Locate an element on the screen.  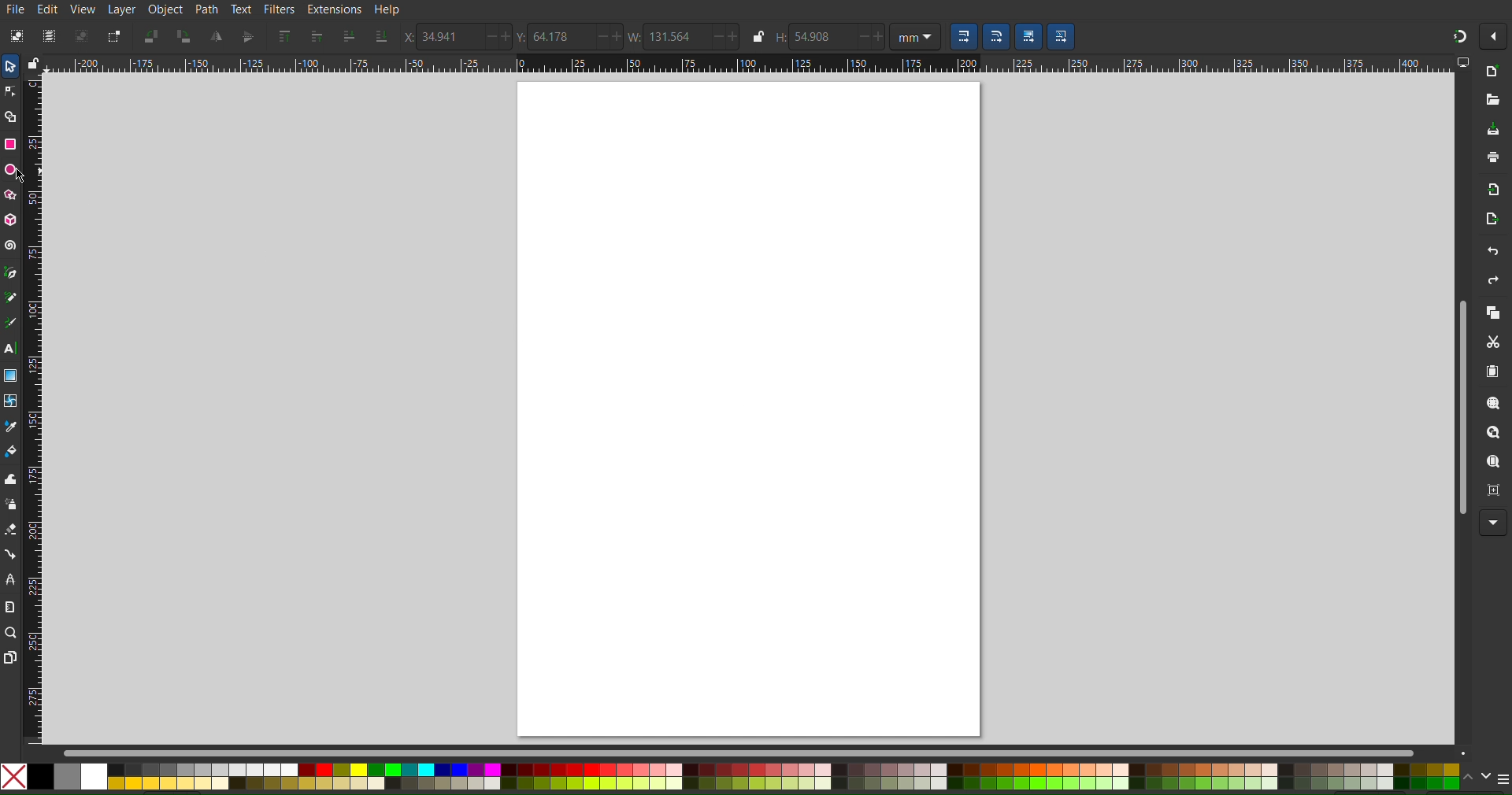
Select is located at coordinates (11, 66).